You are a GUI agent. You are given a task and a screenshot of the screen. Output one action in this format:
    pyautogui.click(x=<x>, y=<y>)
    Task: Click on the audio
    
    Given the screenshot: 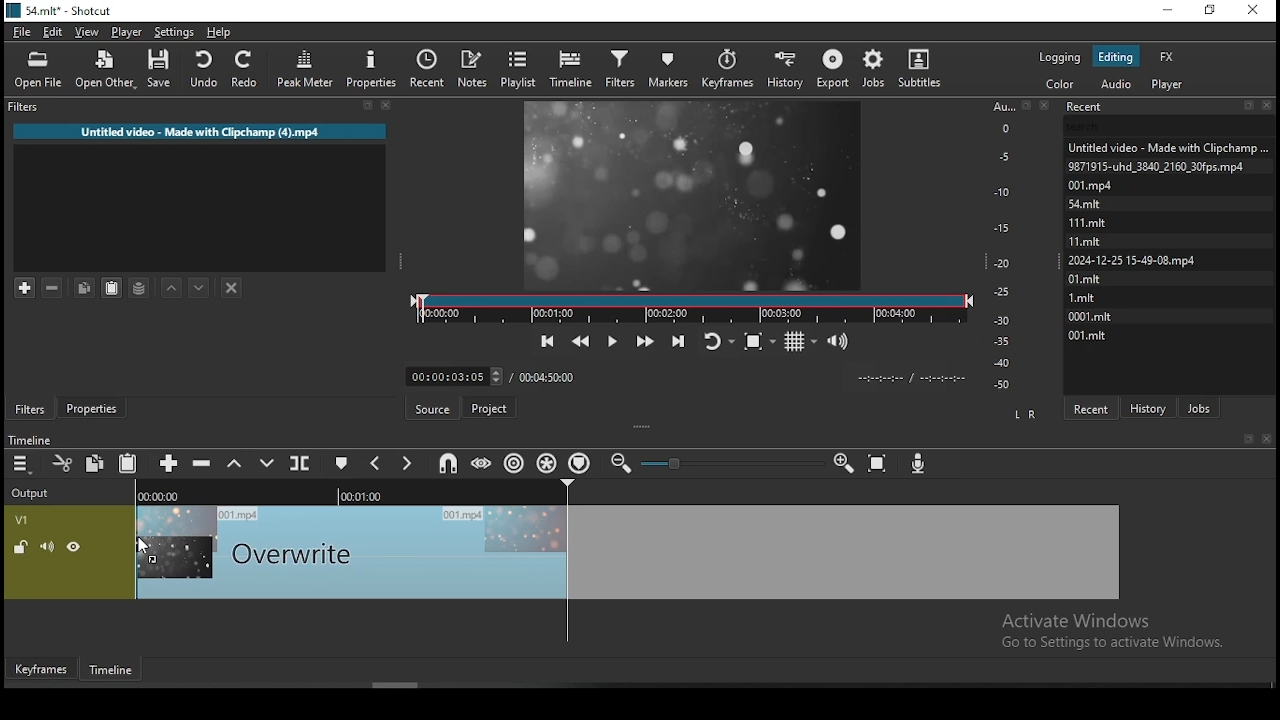 What is the action you would take?
    pyautogui.click(x=1117, y=83)
    